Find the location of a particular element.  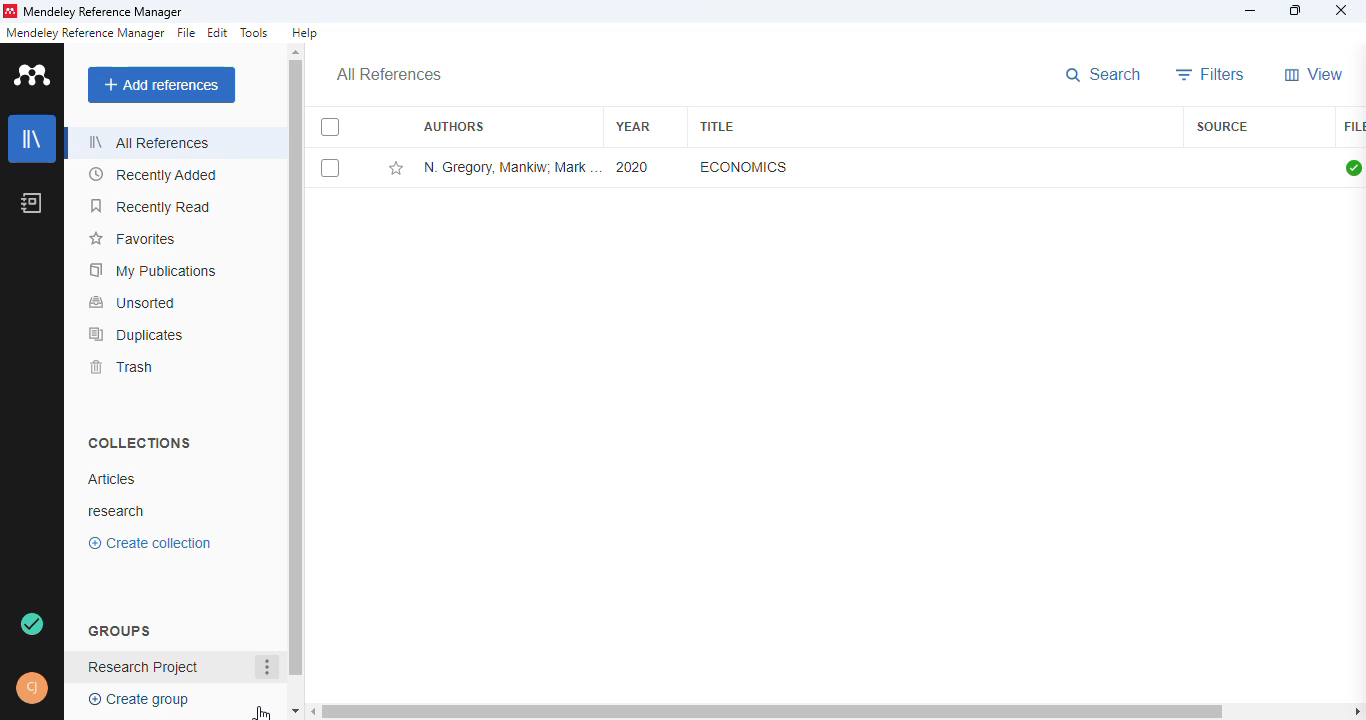

help is located at coordinates (305, 33).